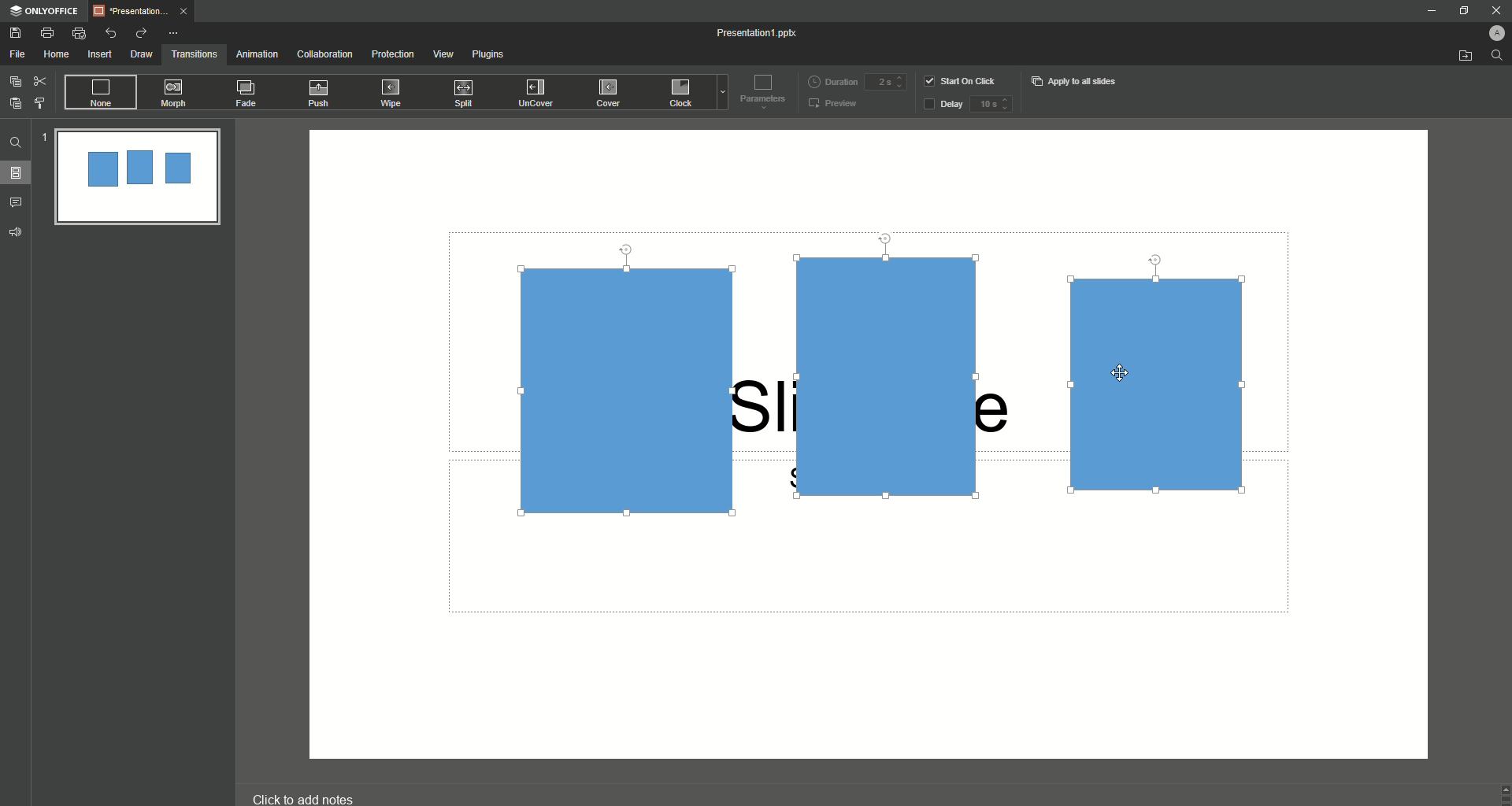 Image resolution: width=1512 pixels, height=806 pixels. Describe the element at coordinates (885, 83) in the screenshot. I see `duration input` at that location.